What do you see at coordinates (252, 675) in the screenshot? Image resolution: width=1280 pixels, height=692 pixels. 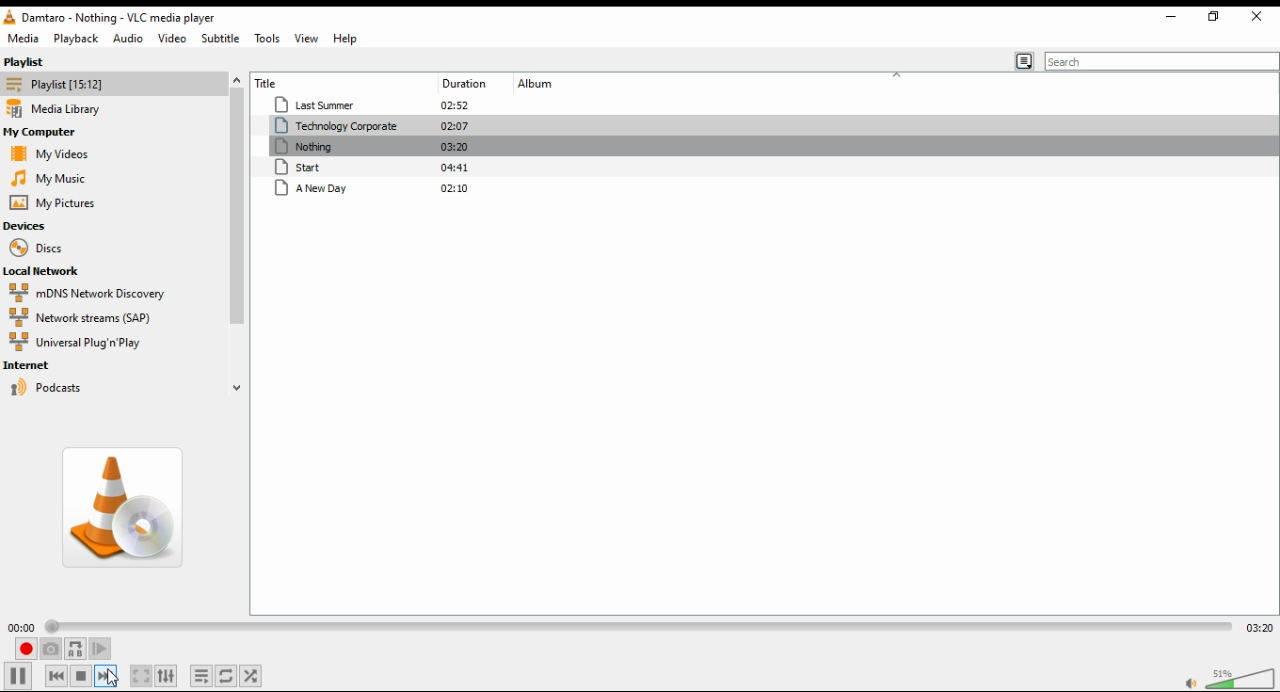 I see `random` at bounding box center [252, 675].